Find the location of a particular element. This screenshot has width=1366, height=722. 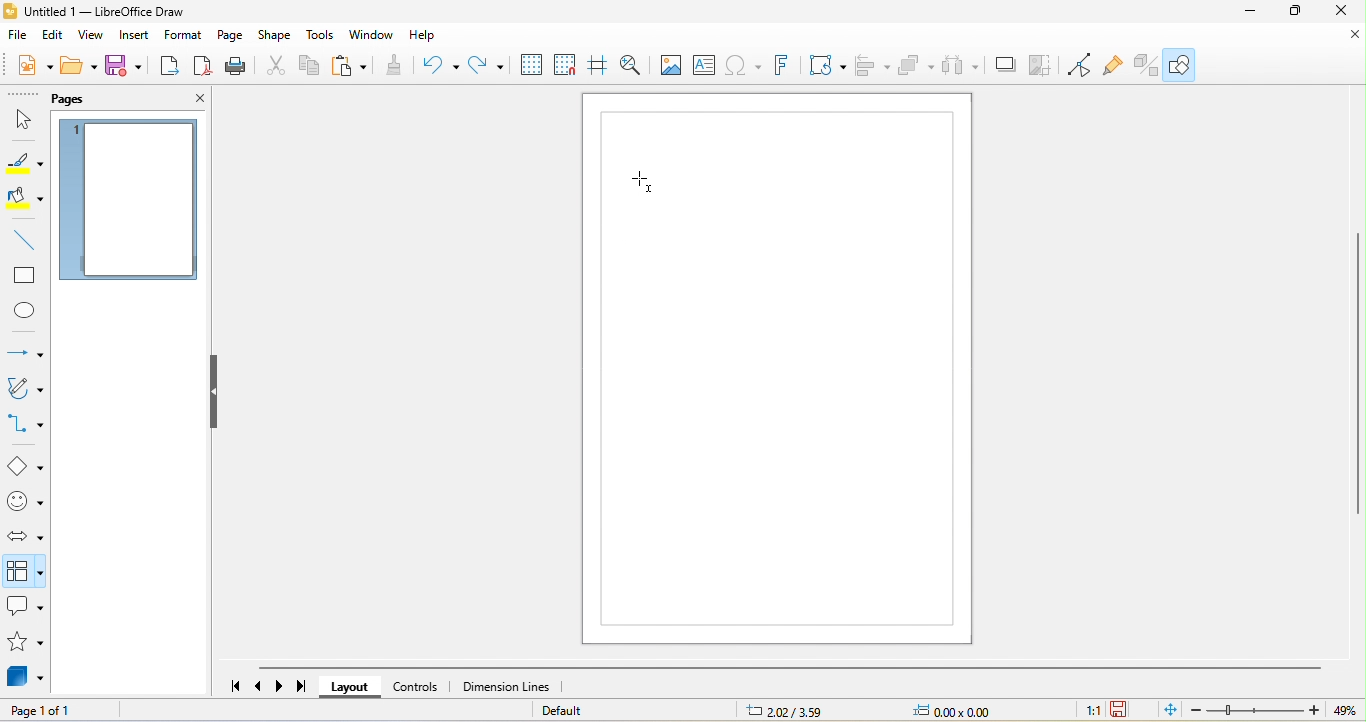

select option is located at coordinates (26, 570).